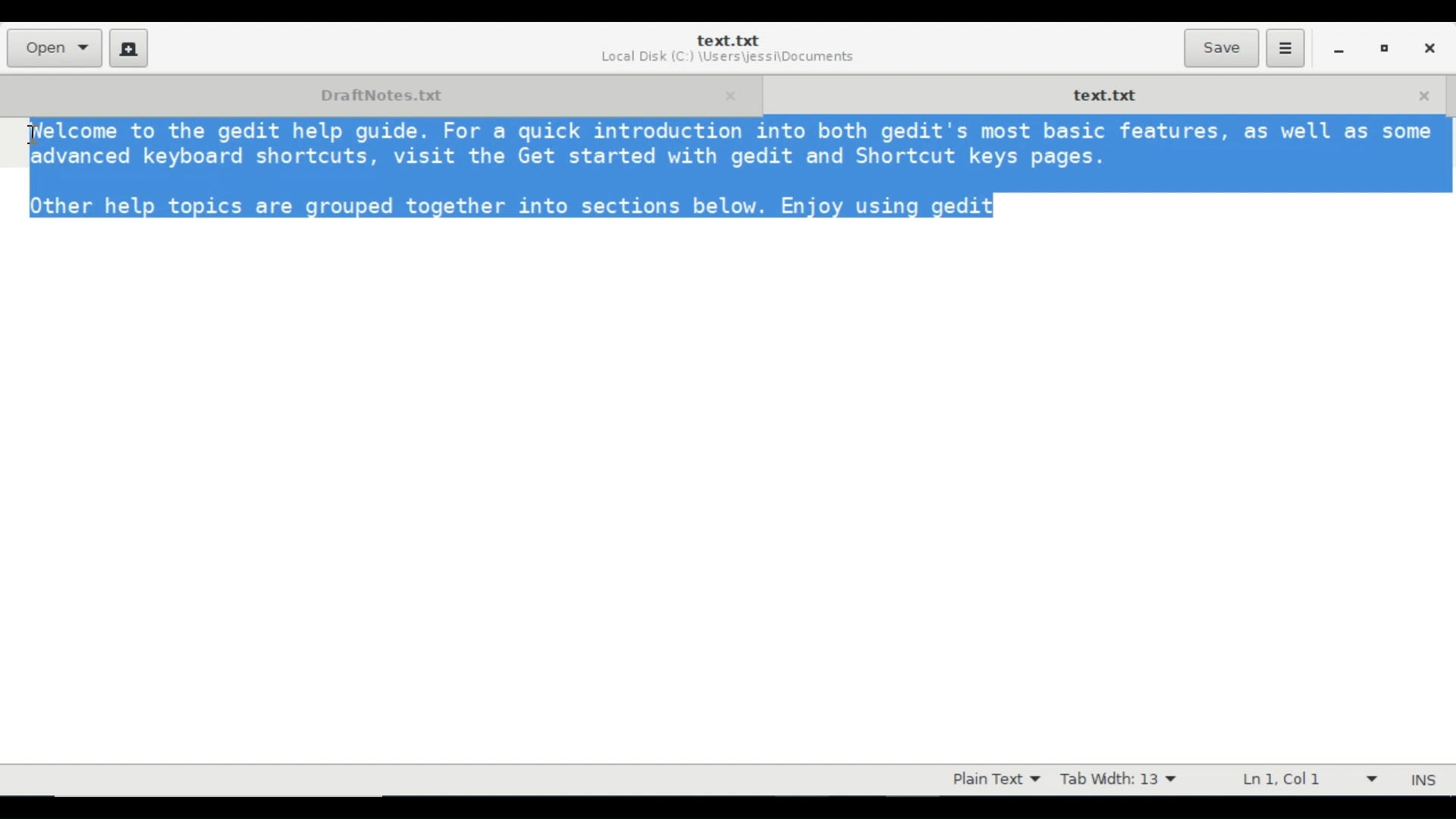 The height and width of the screenshot is (819, 1456). I want to click on Restore, so click(1385, 47).